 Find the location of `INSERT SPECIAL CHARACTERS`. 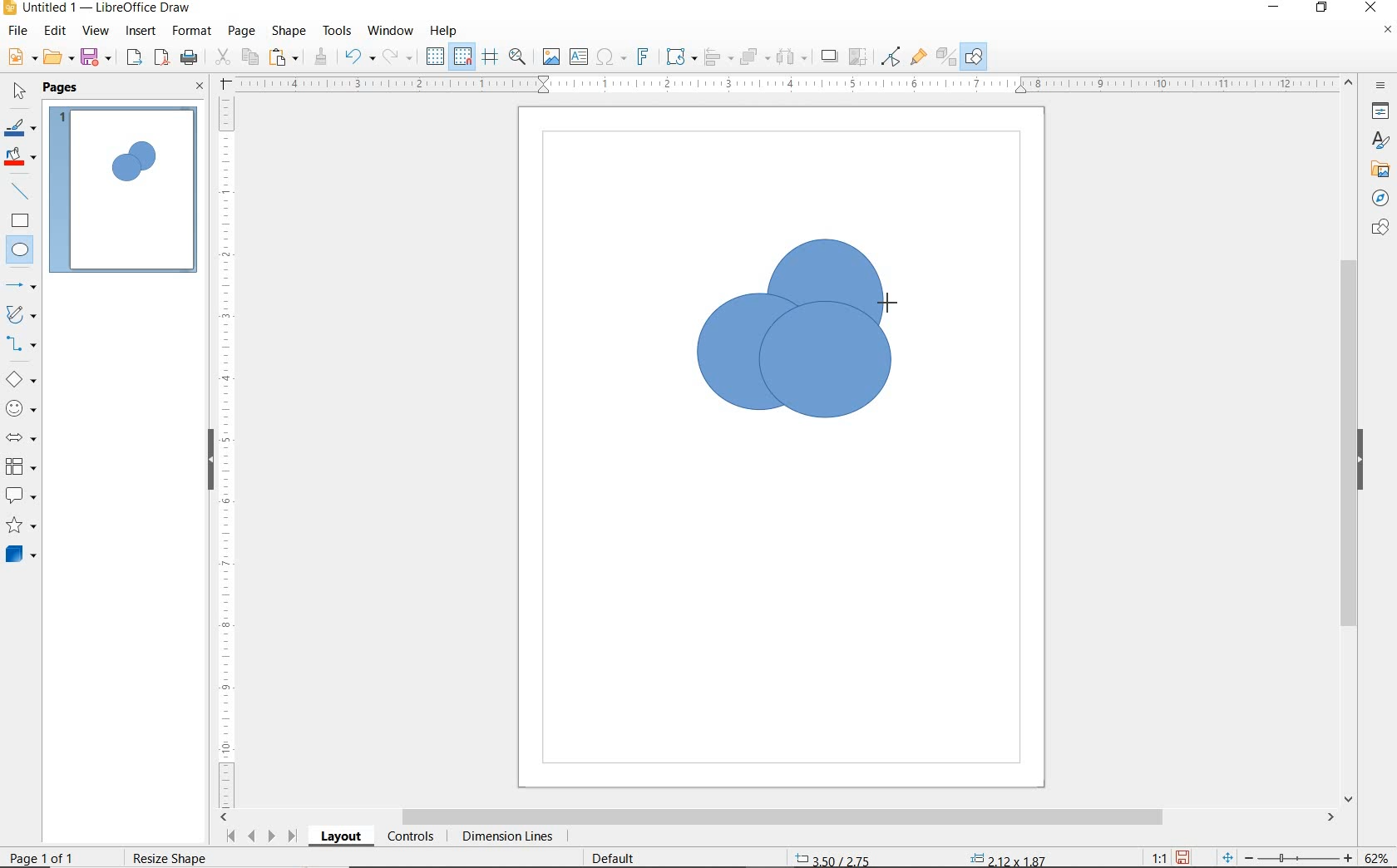

INSERT SPECIAL CHARACTERS is located at coordinates (609, 58).